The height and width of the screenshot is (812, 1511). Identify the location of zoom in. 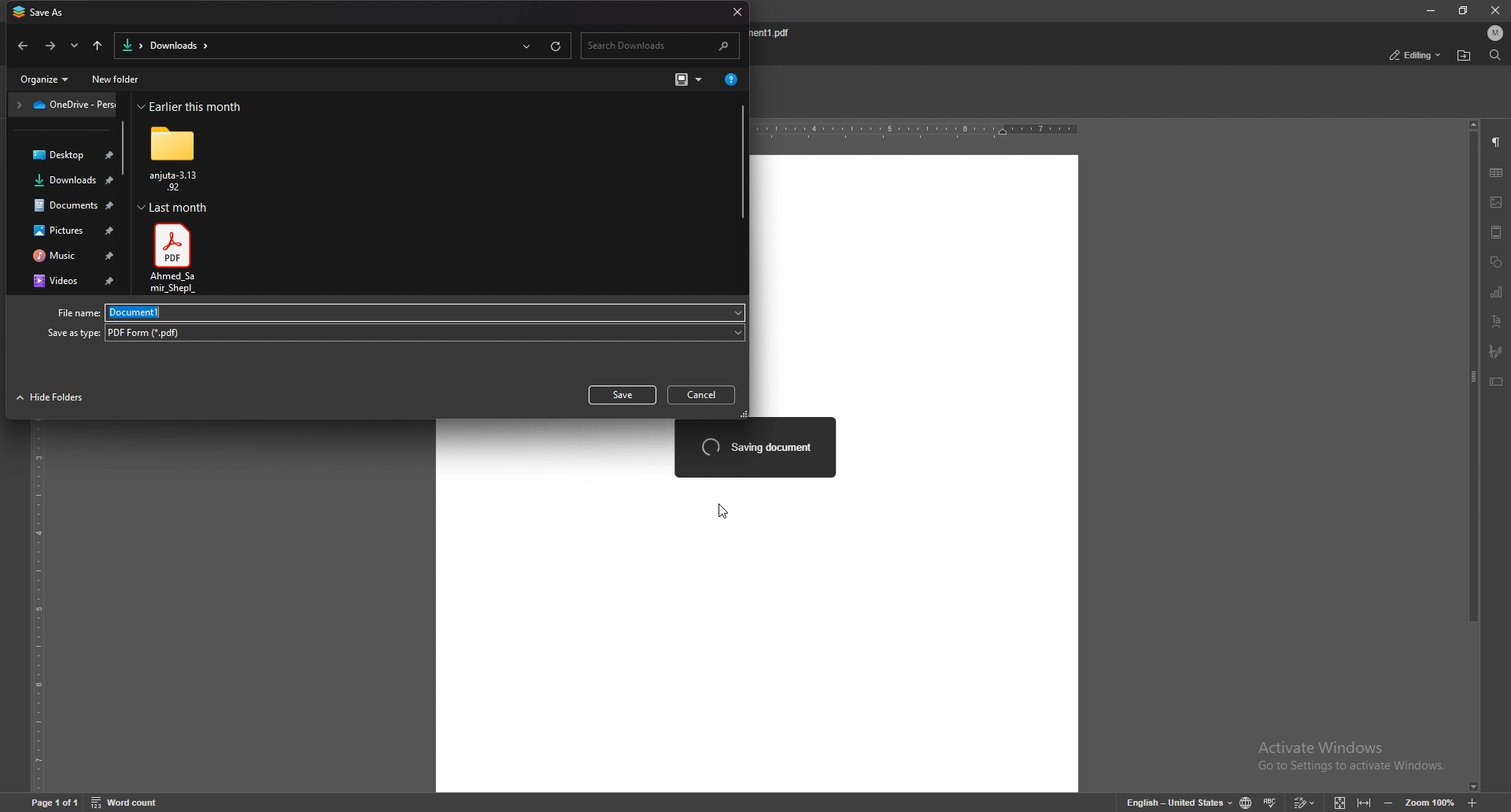
(1474, 801).